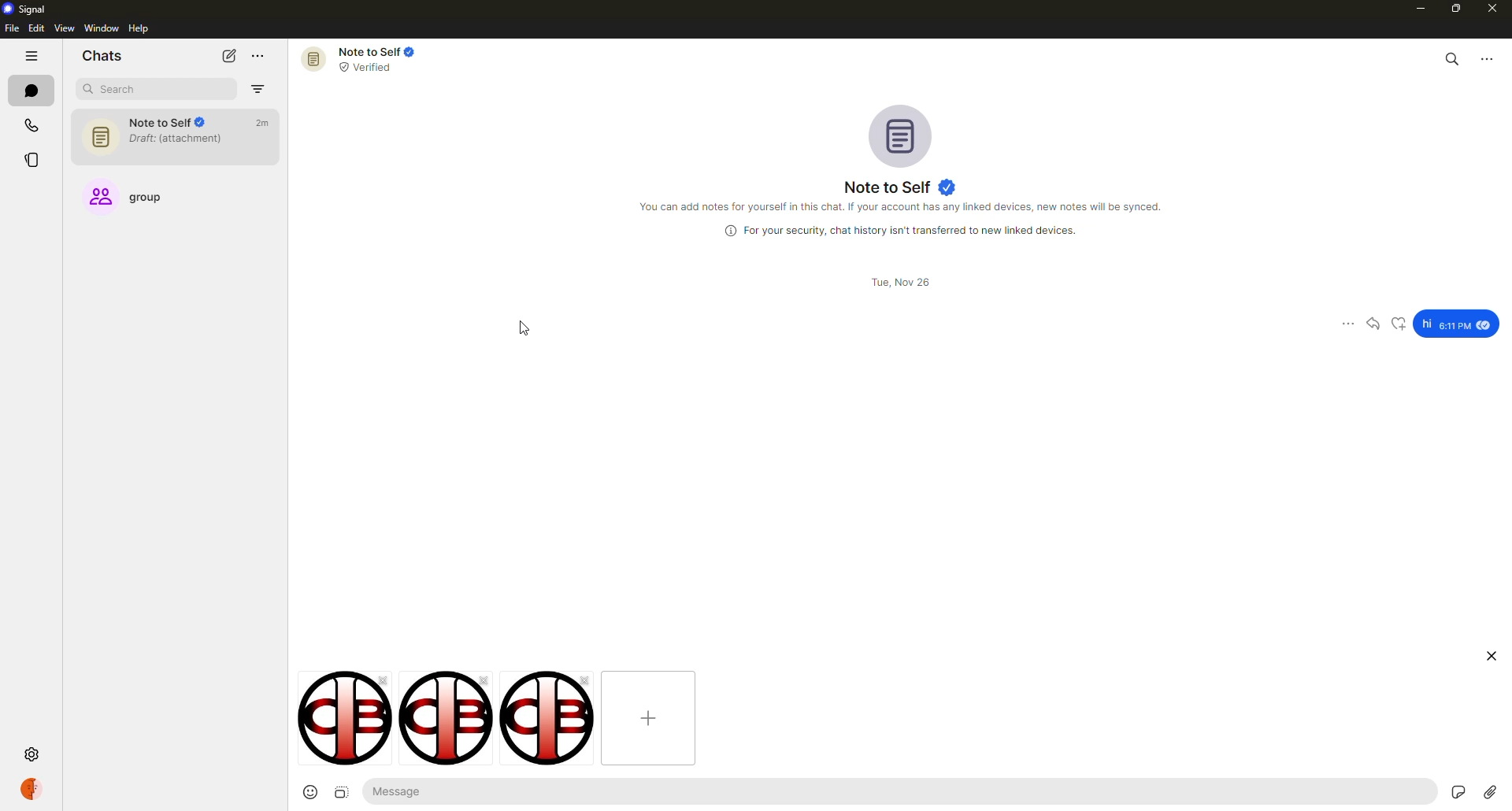 The height and width of the screenshot is (811, 1512). I want to click on settings, so click(33, 755).